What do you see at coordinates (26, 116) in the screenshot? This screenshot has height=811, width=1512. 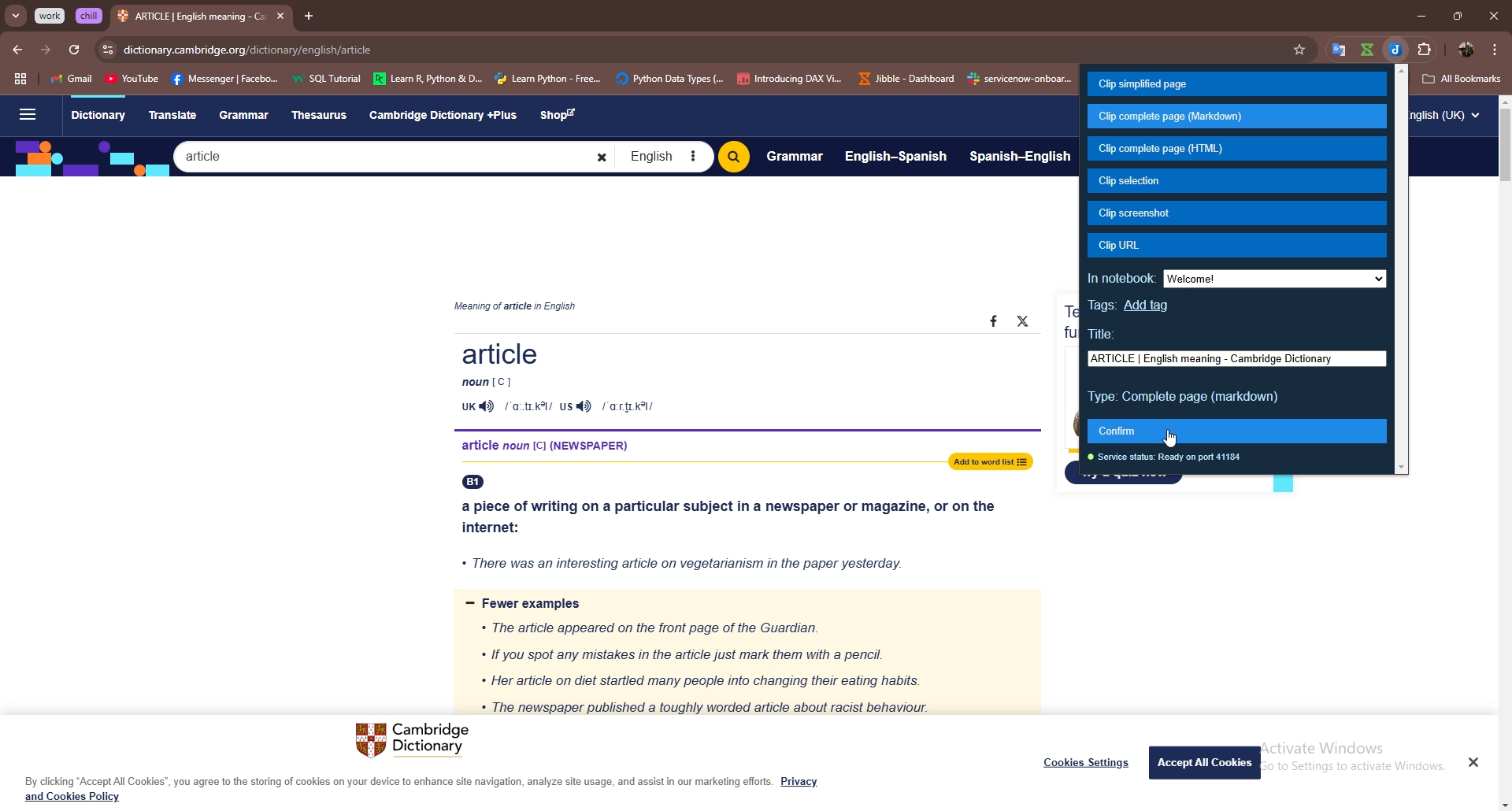 I see `Sidebar` at bounding box center [26, 116].